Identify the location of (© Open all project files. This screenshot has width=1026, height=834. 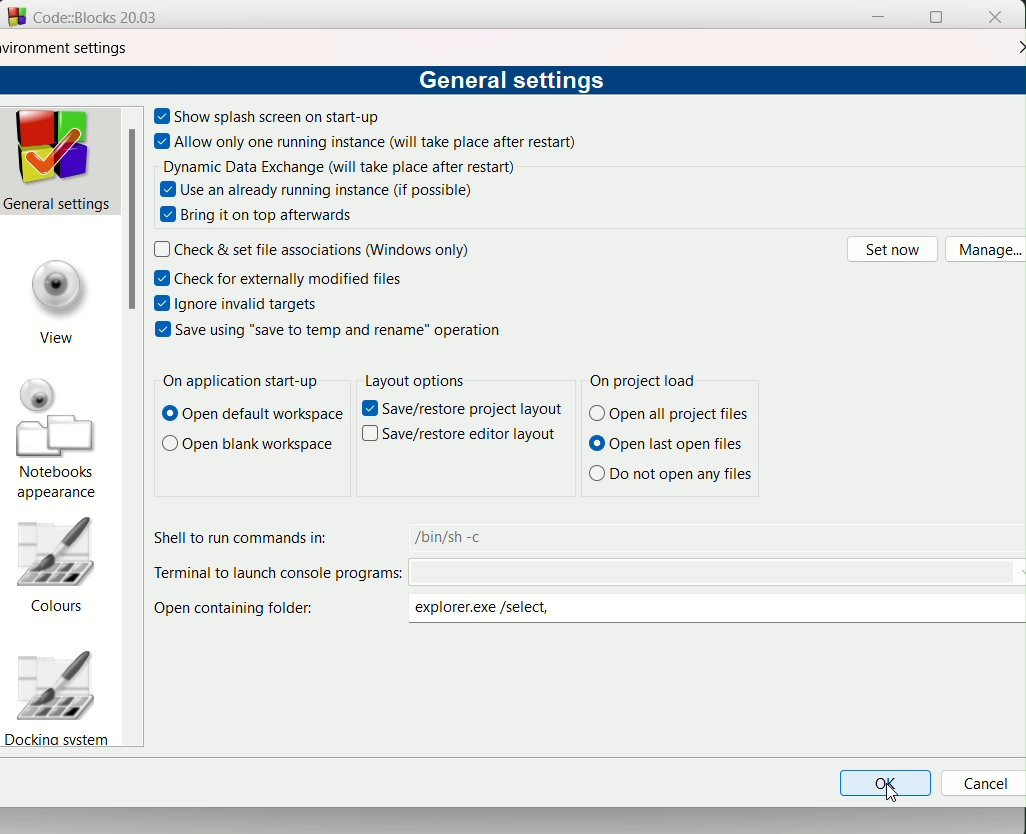
(672, 414).